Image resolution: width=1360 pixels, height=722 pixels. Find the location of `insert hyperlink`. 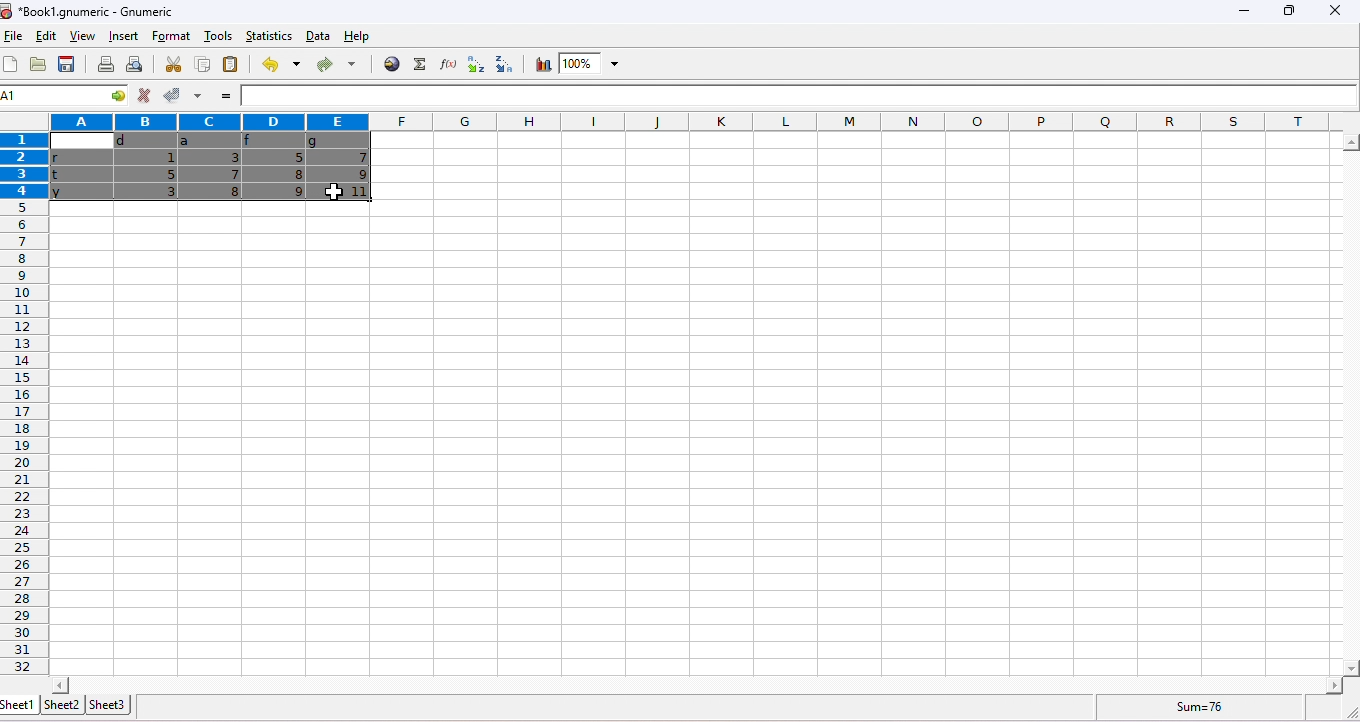

insert hyperlink is located at coordinates (392, 63).